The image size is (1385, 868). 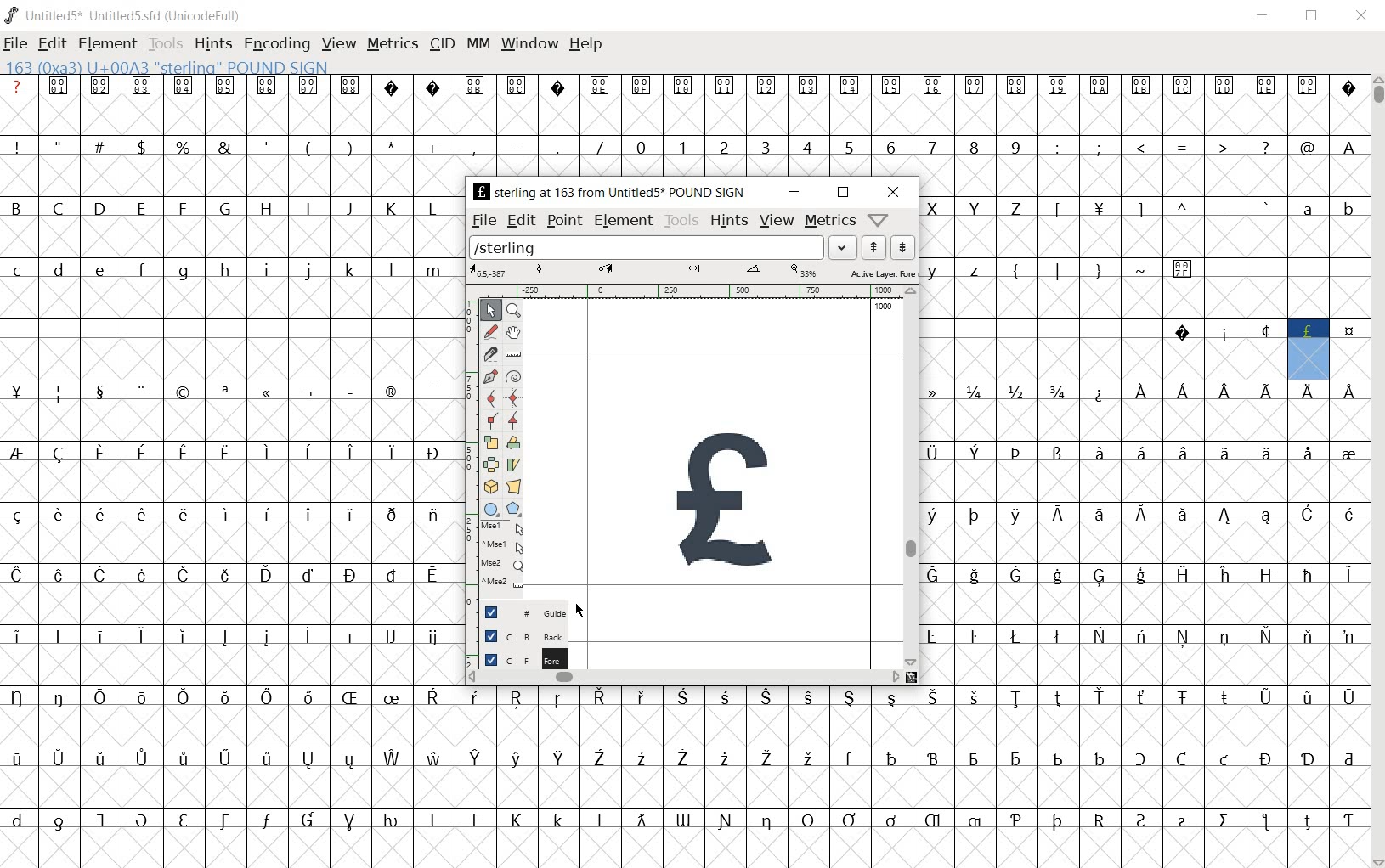 What do you see at coordinates (56, 516) in the screenshot?
I see `Symbol` at bounding box center [56, 516].